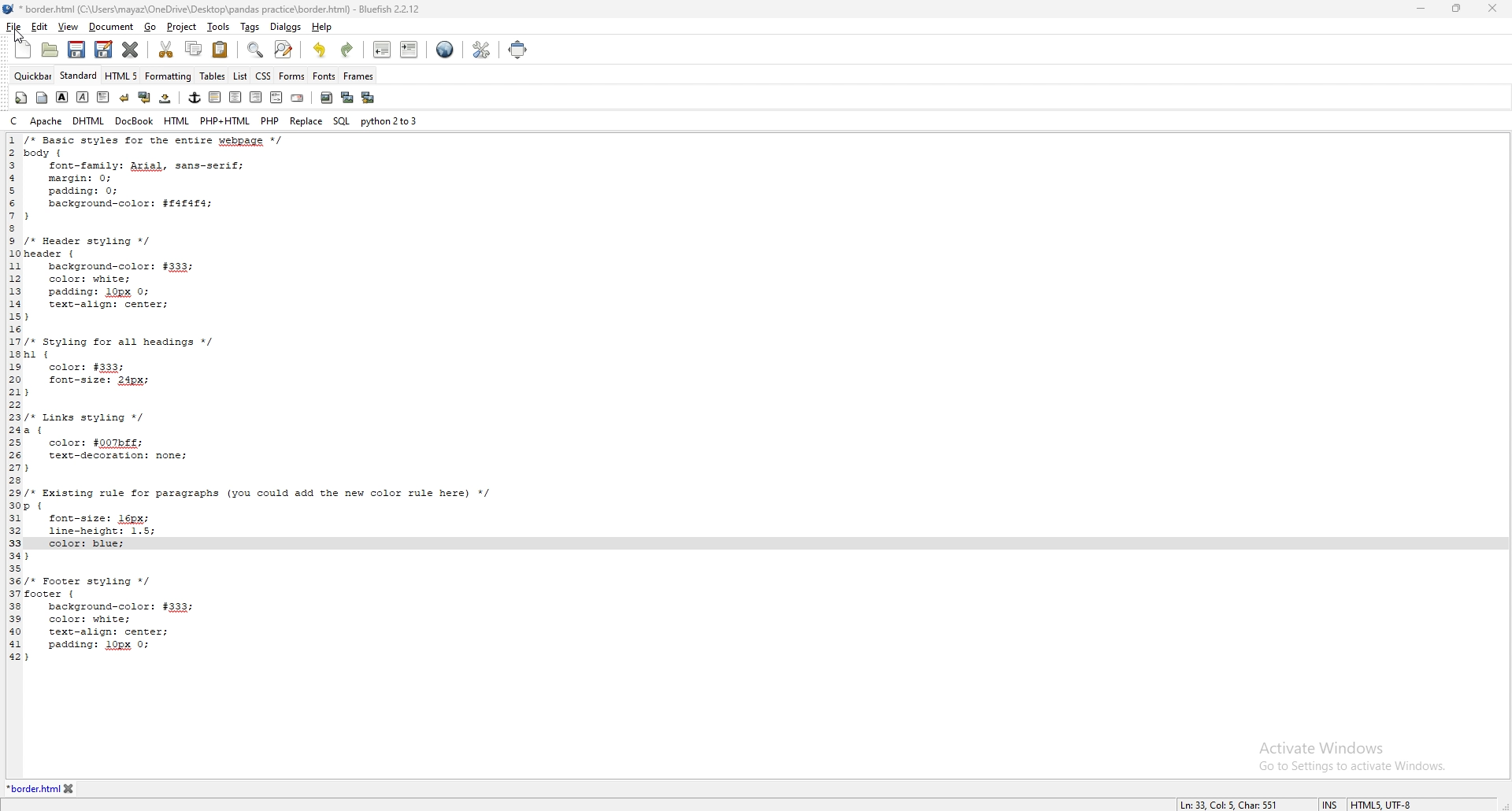  What do you see at coordinates (213, 76) in the screenshot?
I see `tables` at bounding box center [213, 76].